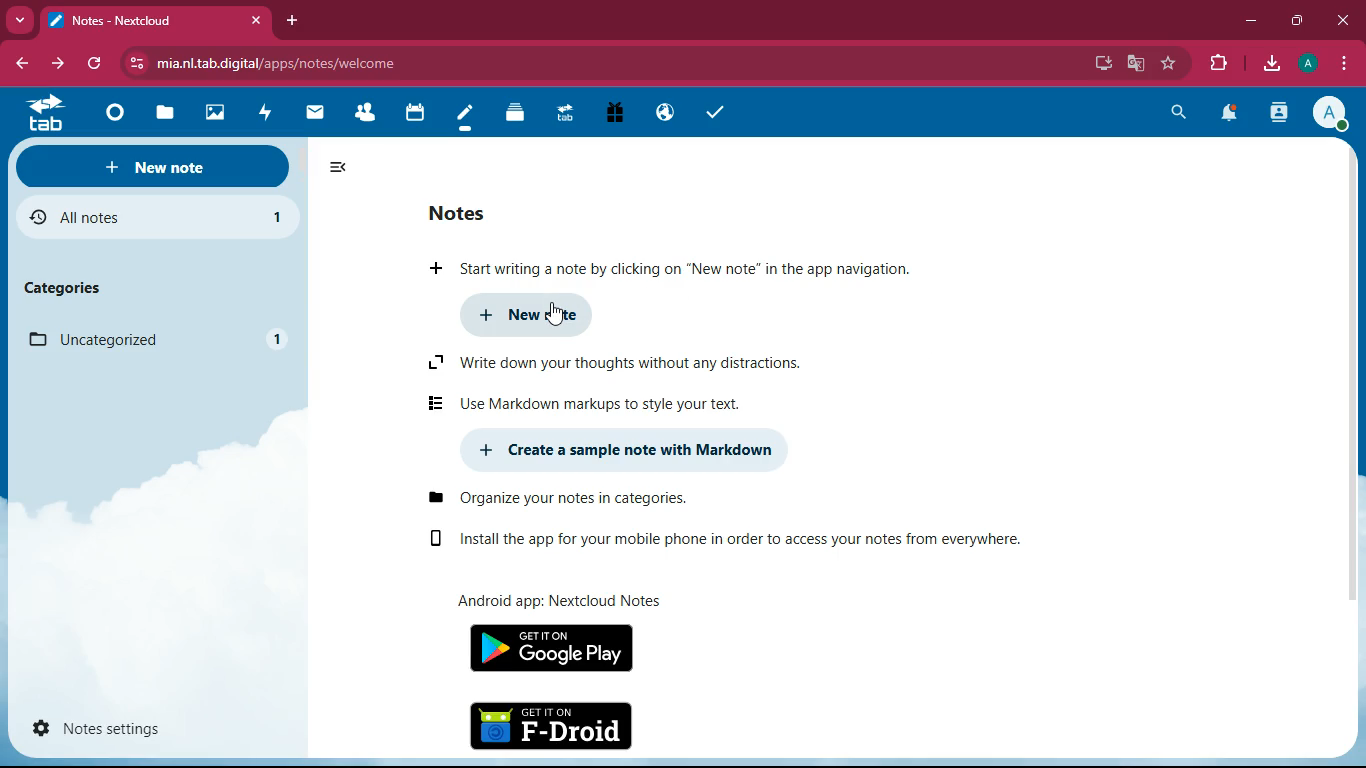  I want to click on cursor, so click(556, 314).